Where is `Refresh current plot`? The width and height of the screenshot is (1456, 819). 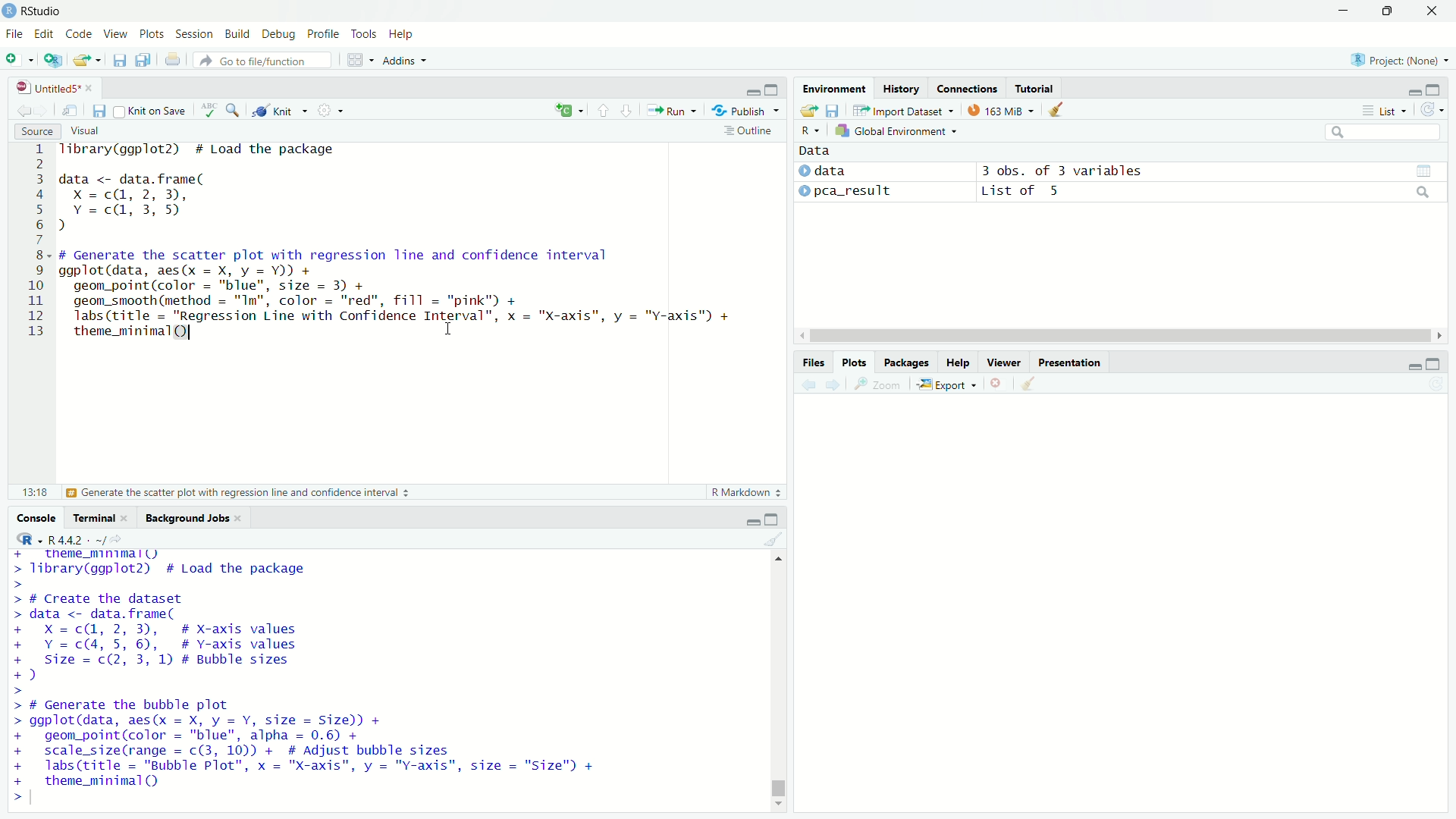
Refresh current plot is located at coordinates (1436, 383).